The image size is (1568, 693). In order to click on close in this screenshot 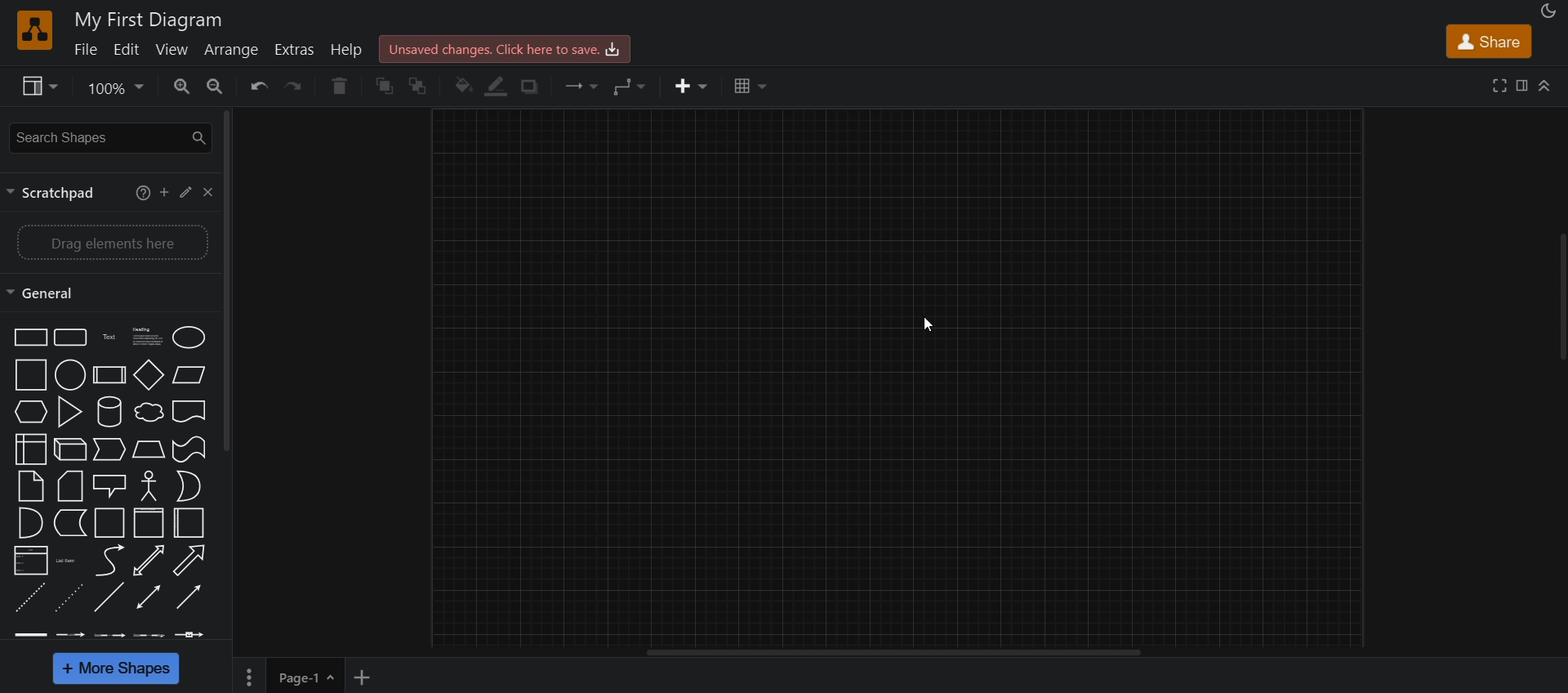, I will do `click(209, 193)`.